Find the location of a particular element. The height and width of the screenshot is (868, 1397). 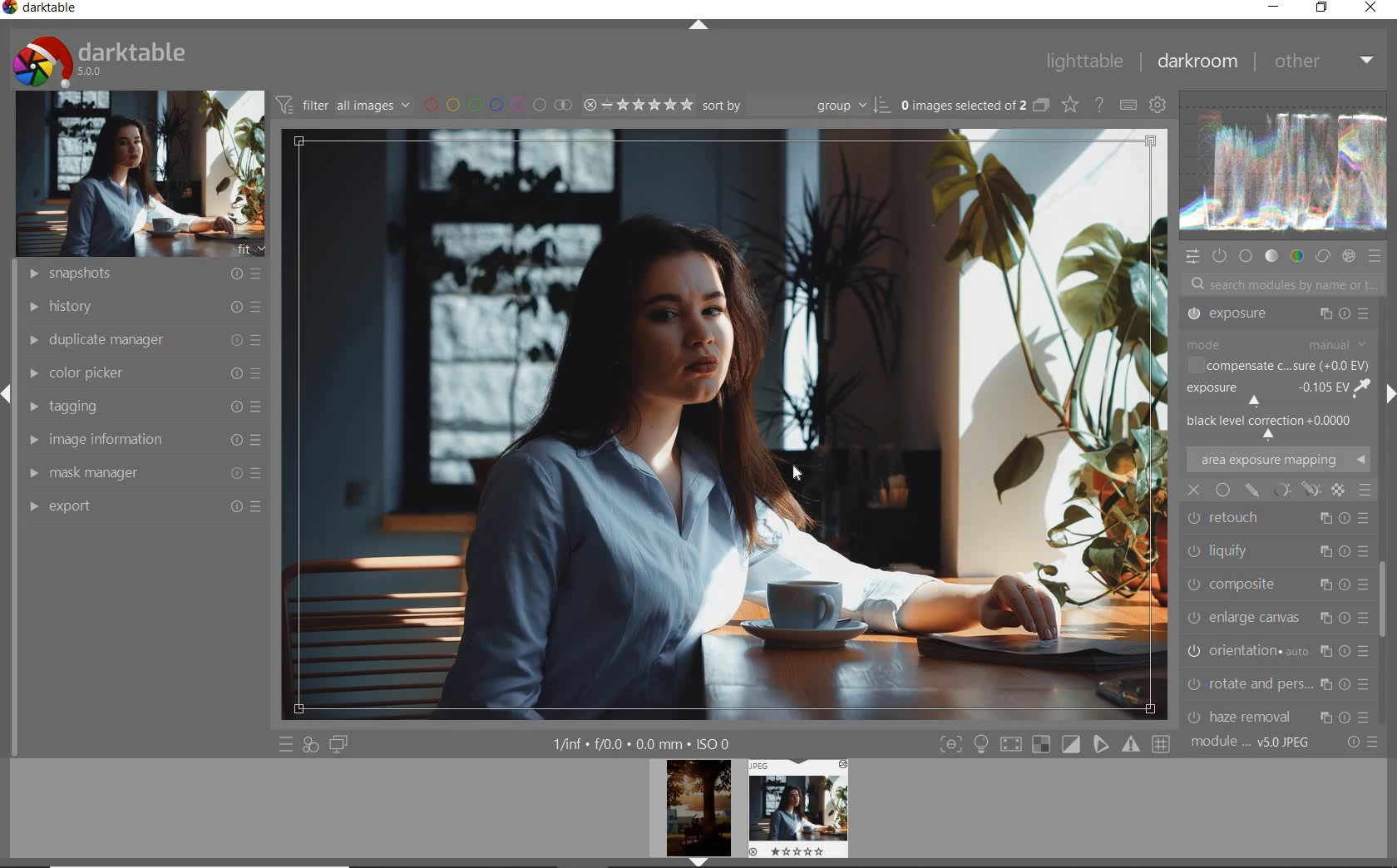

area exposure mapping is located at coordinates (1278, 460).